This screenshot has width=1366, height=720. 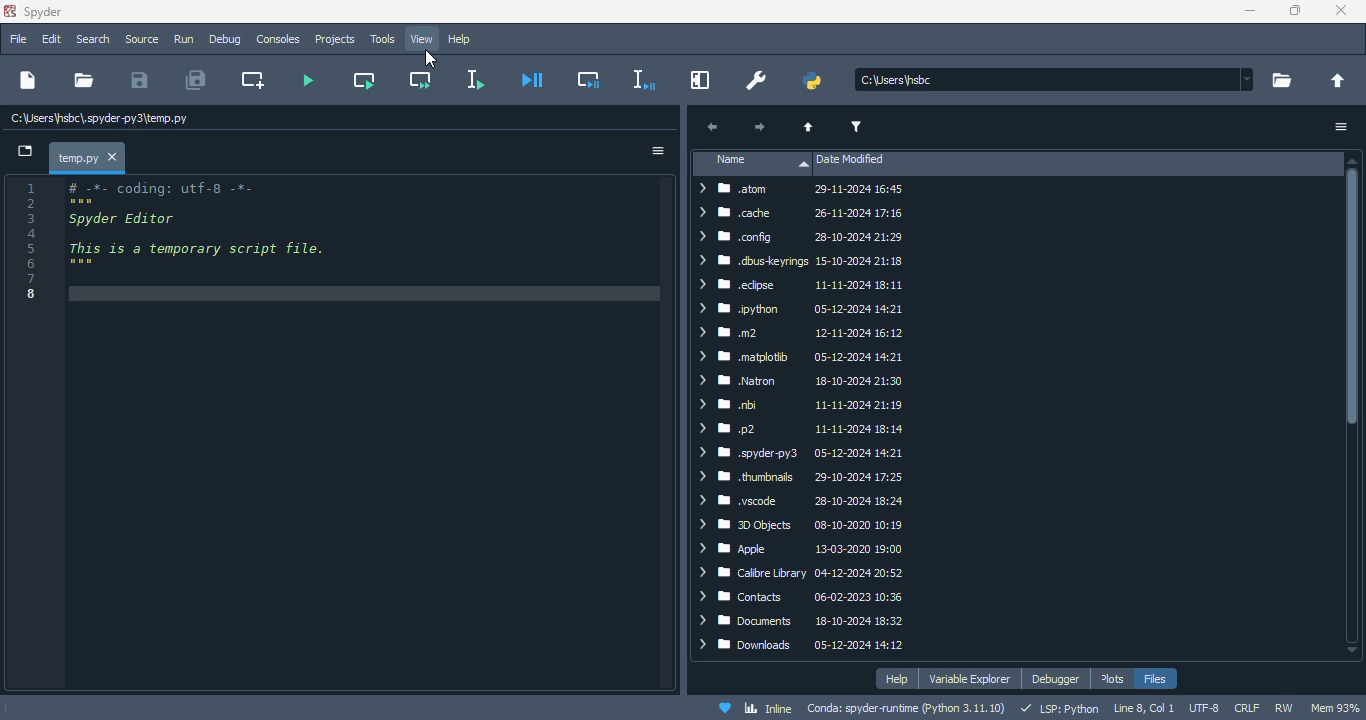 I want to click on maximize current pane, so click(x=700, y=81).